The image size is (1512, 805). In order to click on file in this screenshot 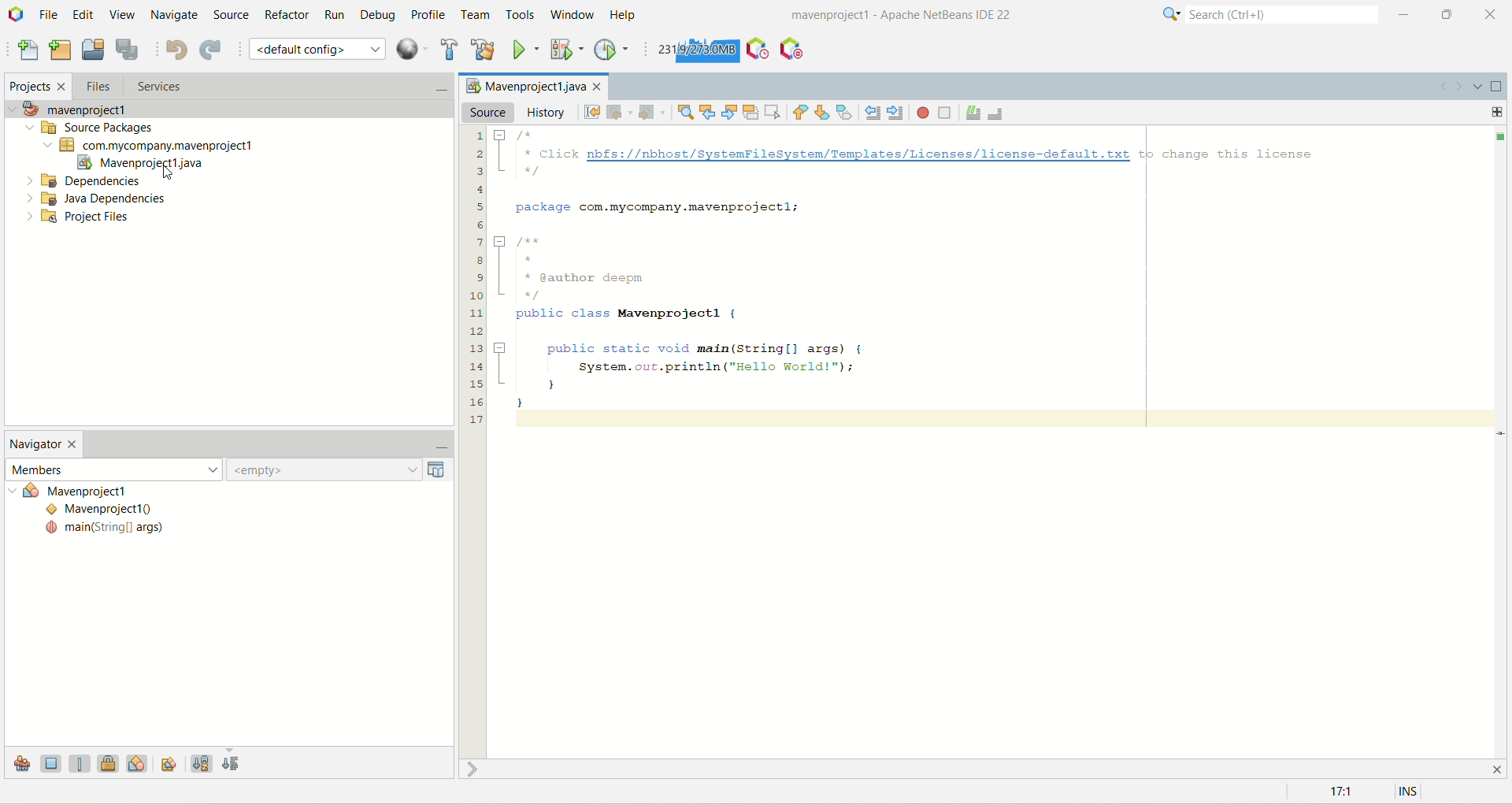, I will do `click(51, 13)`.